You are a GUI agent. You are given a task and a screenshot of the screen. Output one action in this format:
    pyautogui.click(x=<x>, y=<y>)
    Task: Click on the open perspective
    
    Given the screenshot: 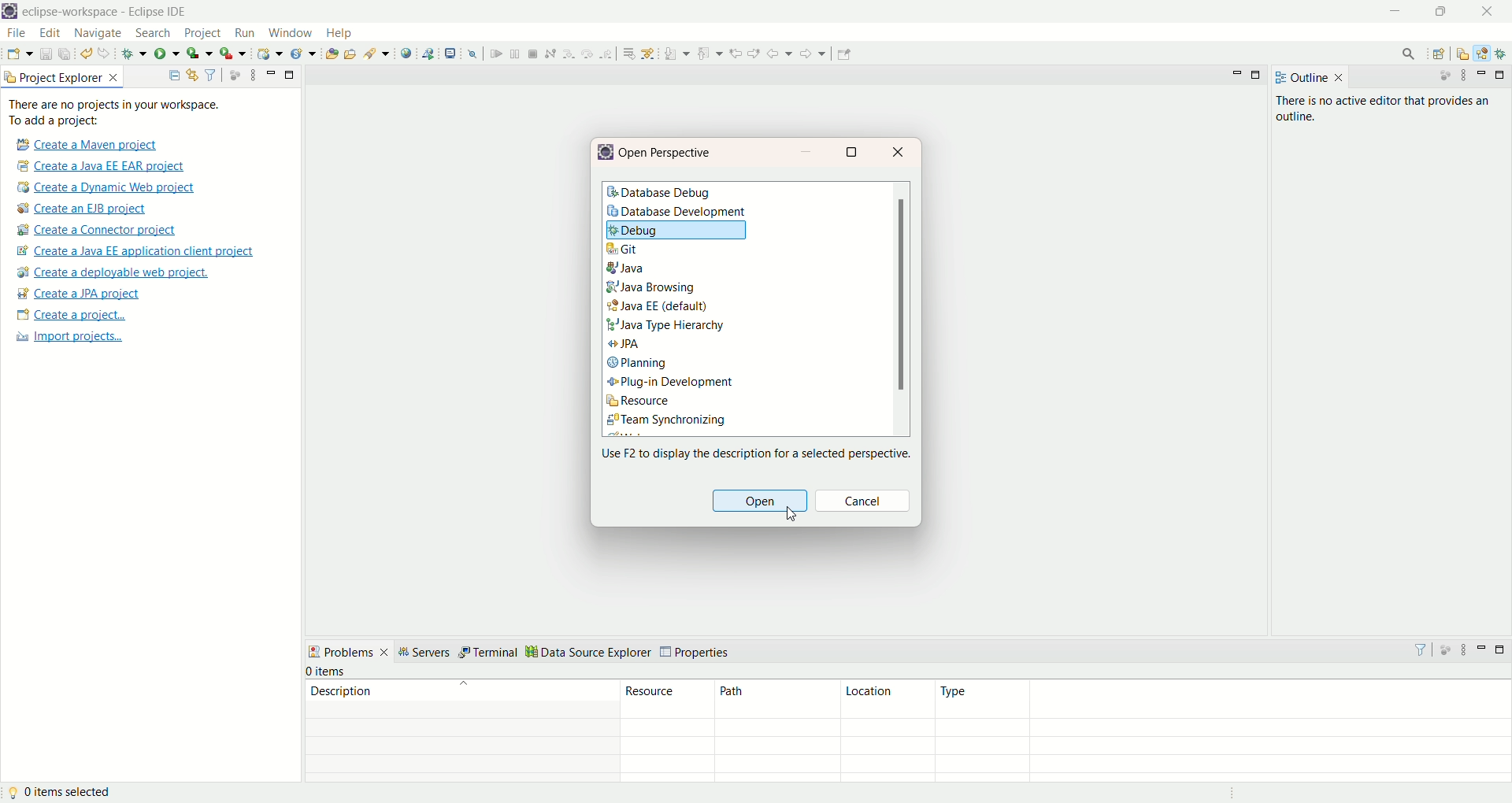 What is the action you would take?
    pyautogui.click(x=668, y=153)
    